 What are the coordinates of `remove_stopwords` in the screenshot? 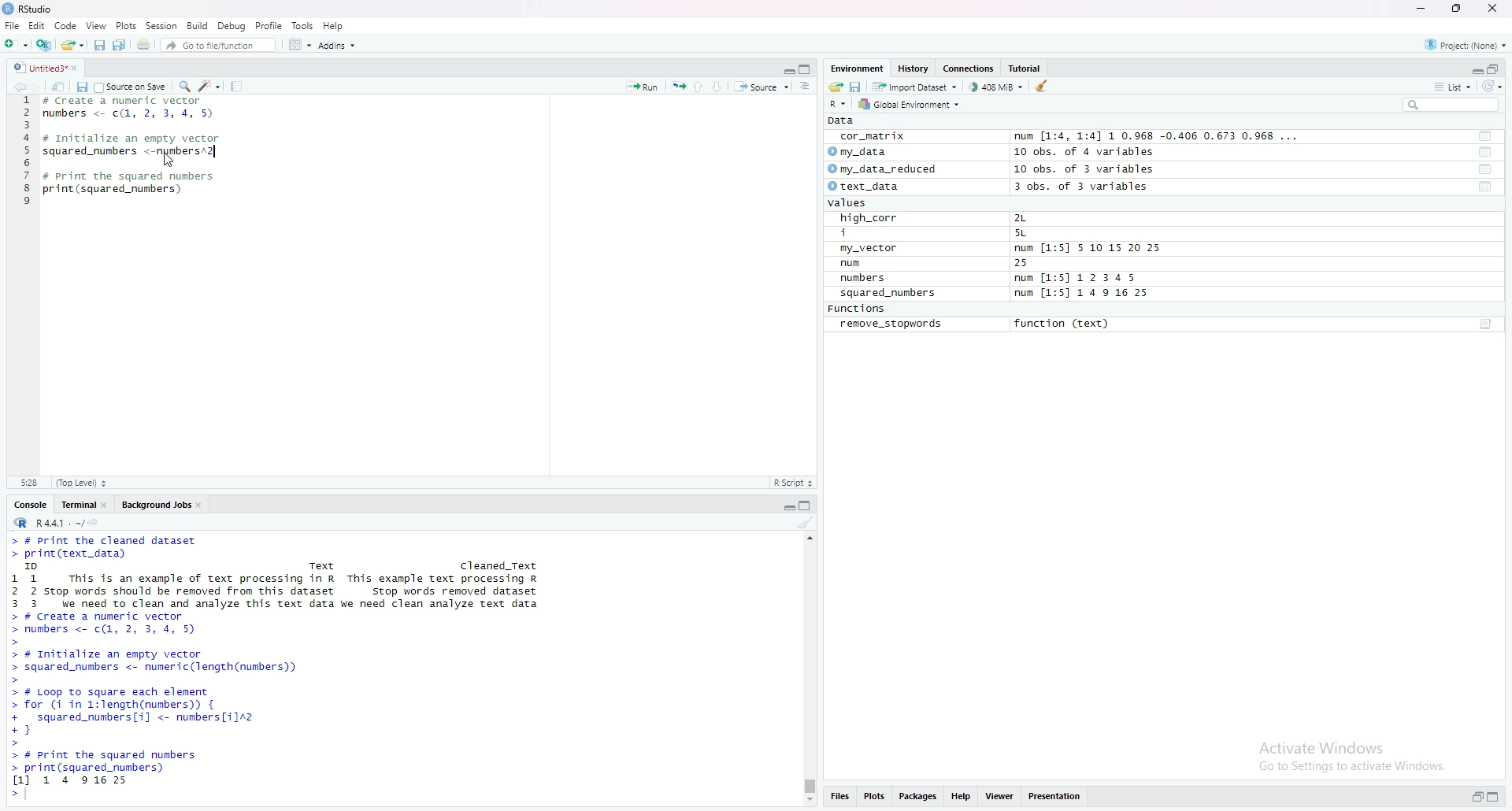 It's located at (891, 324).